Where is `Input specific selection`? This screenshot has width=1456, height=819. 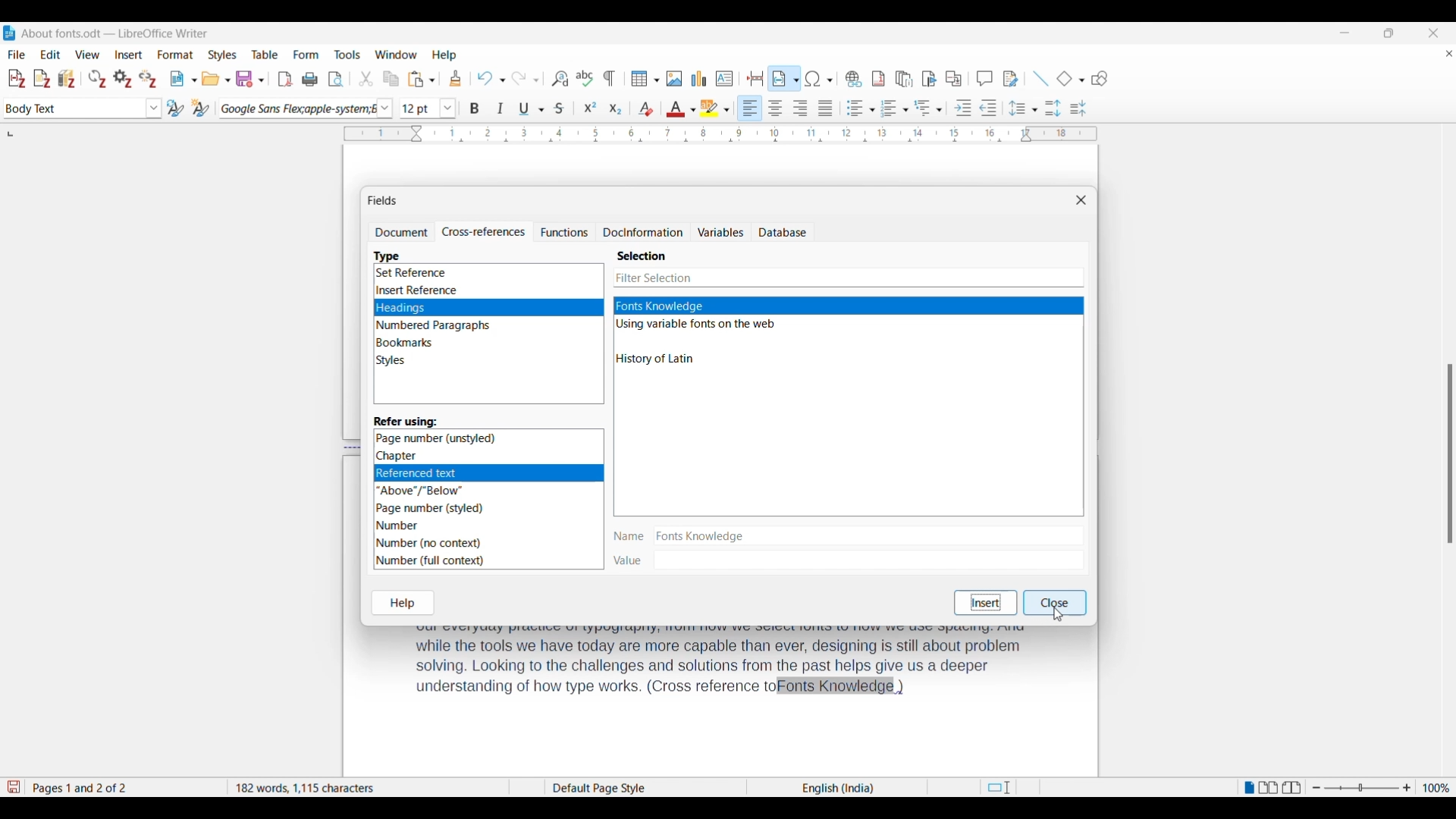
Input specific selection is located at coordinates (848, 278).